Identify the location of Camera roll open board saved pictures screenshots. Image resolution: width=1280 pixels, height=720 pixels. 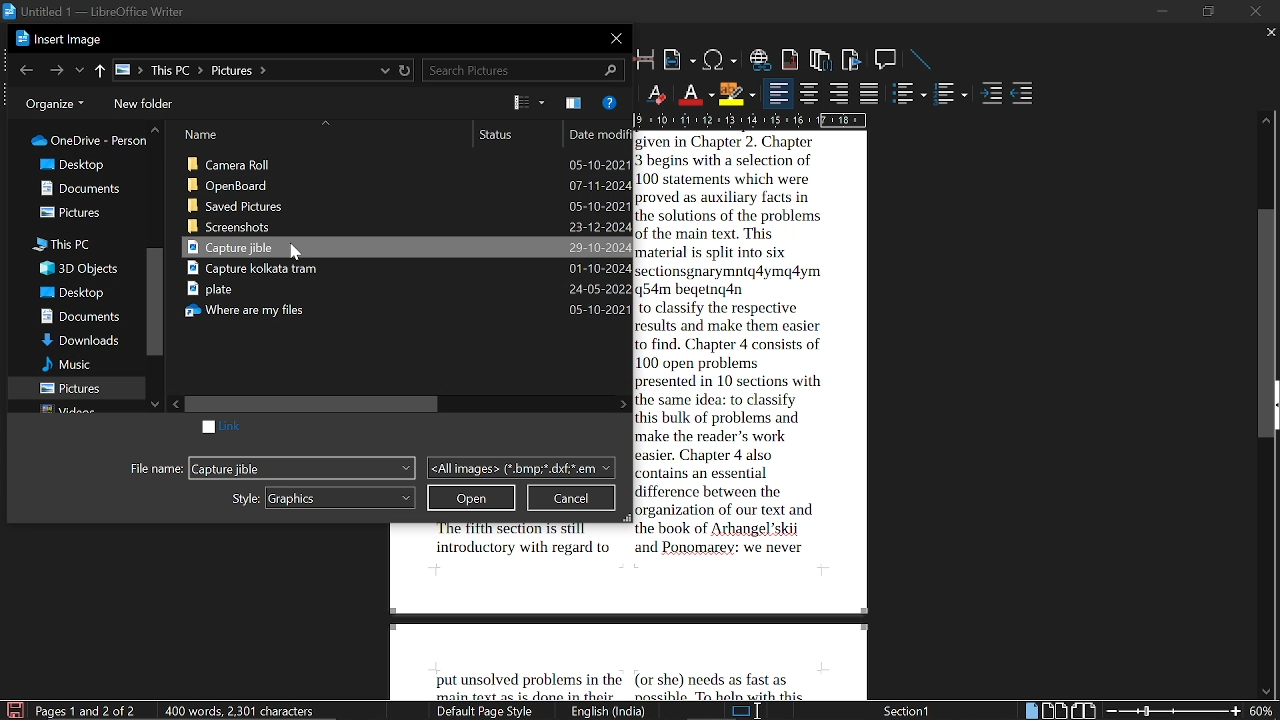
(406, 193).